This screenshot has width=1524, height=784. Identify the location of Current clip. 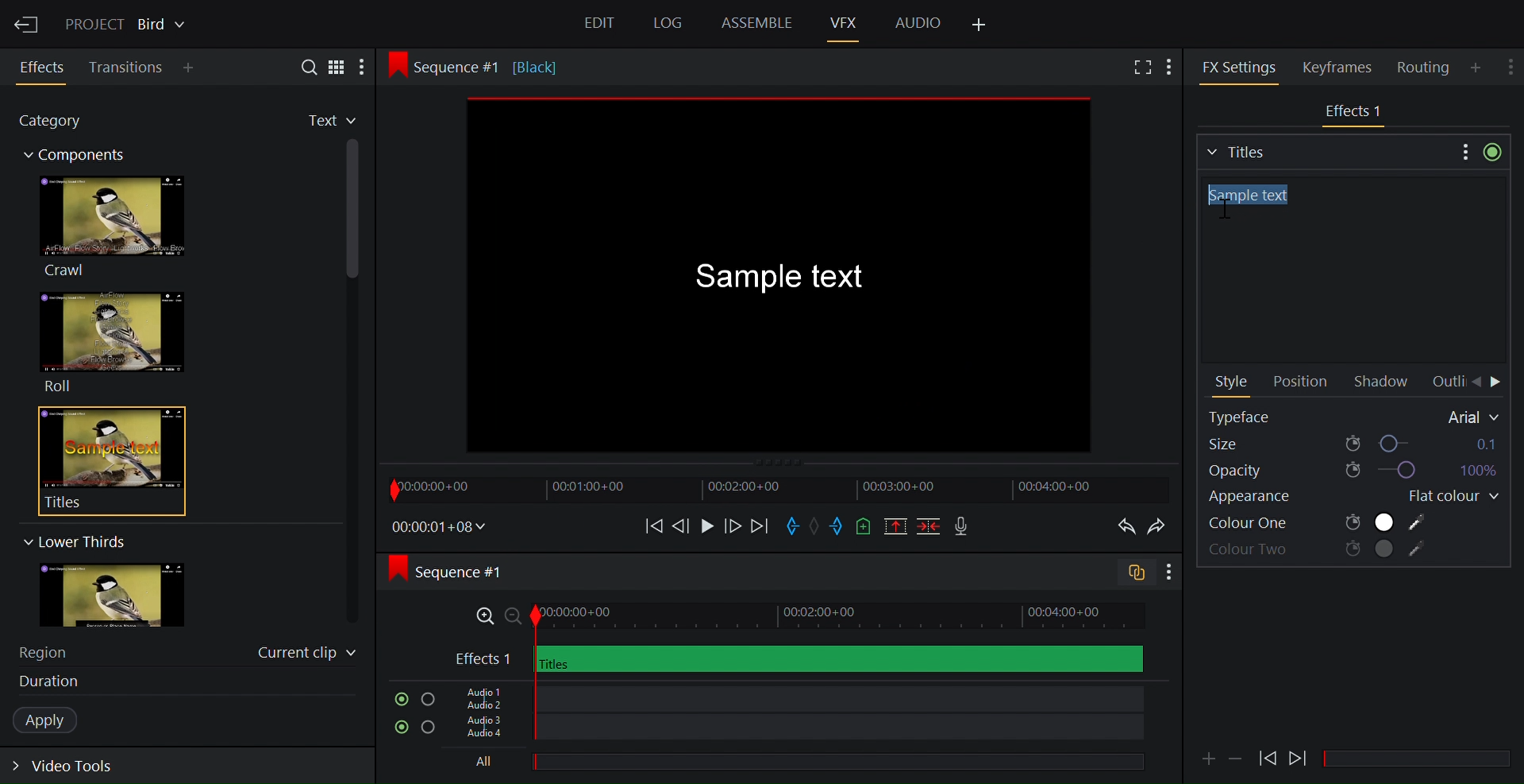
(307, 655).